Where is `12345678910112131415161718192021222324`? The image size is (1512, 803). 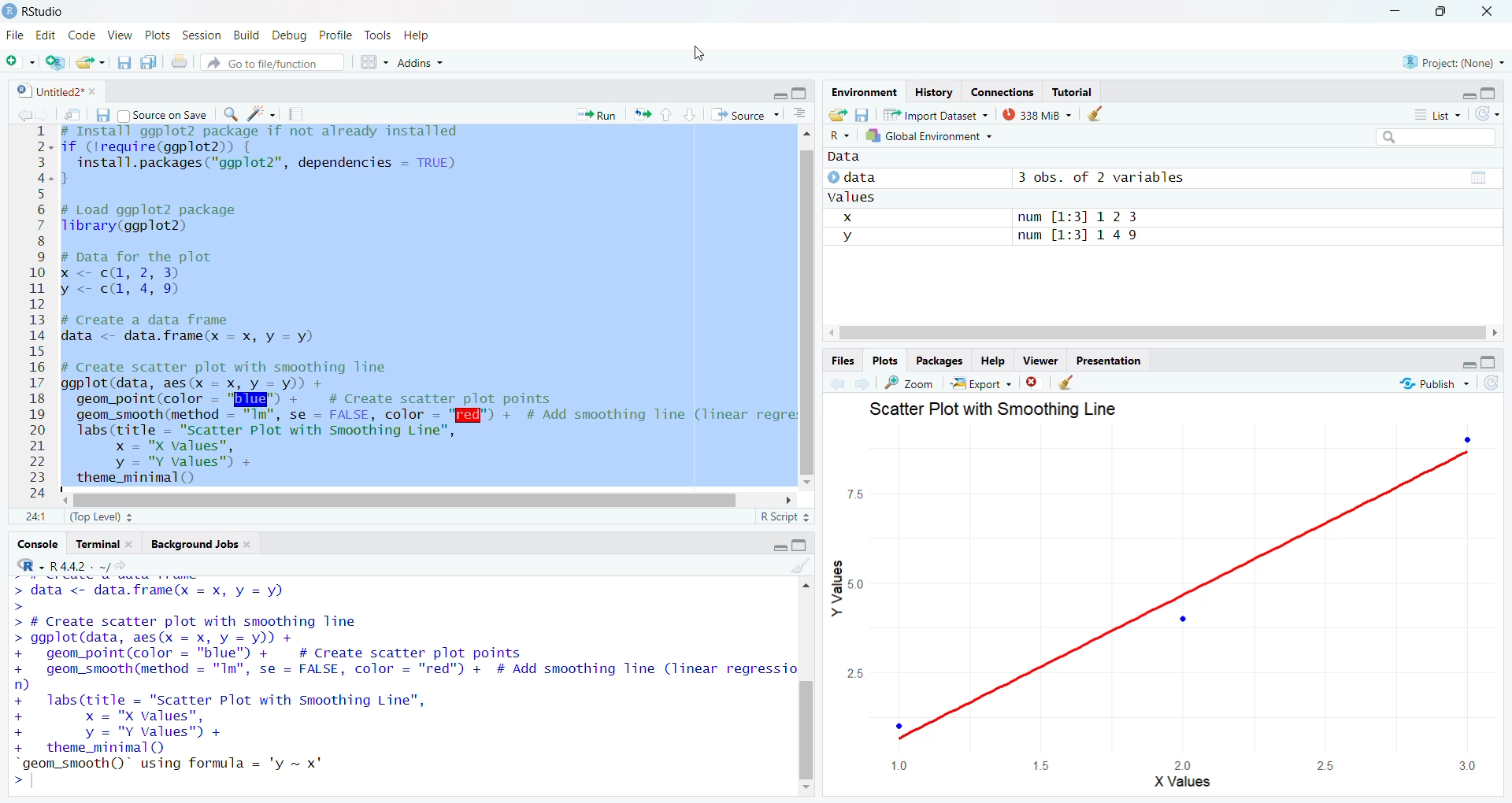 12345678910112131415161718192021222324 is located at coordinates (34, 314).